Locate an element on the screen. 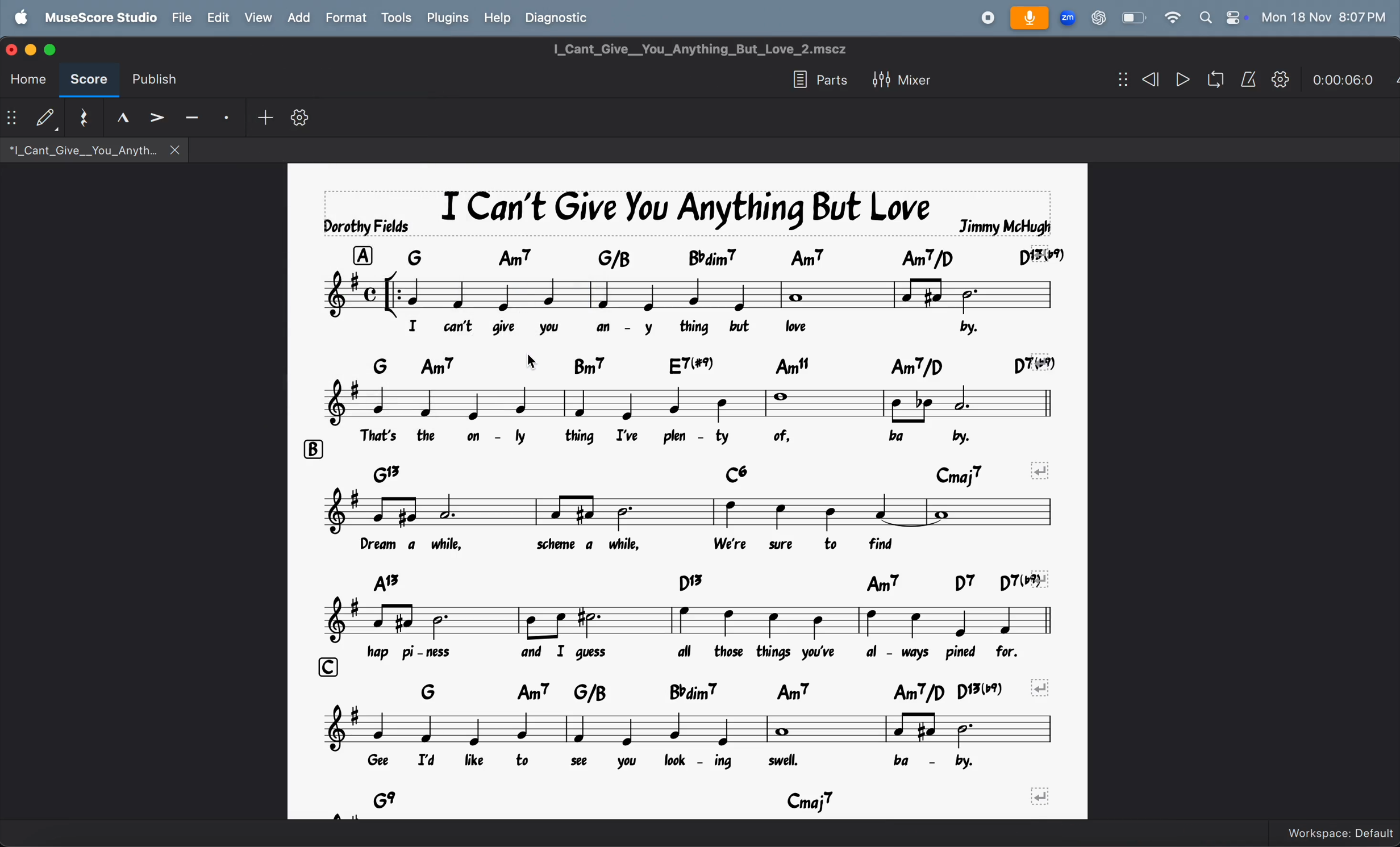 This screenshot has height=847, width=1400. view is located at coordinates (257, 18).